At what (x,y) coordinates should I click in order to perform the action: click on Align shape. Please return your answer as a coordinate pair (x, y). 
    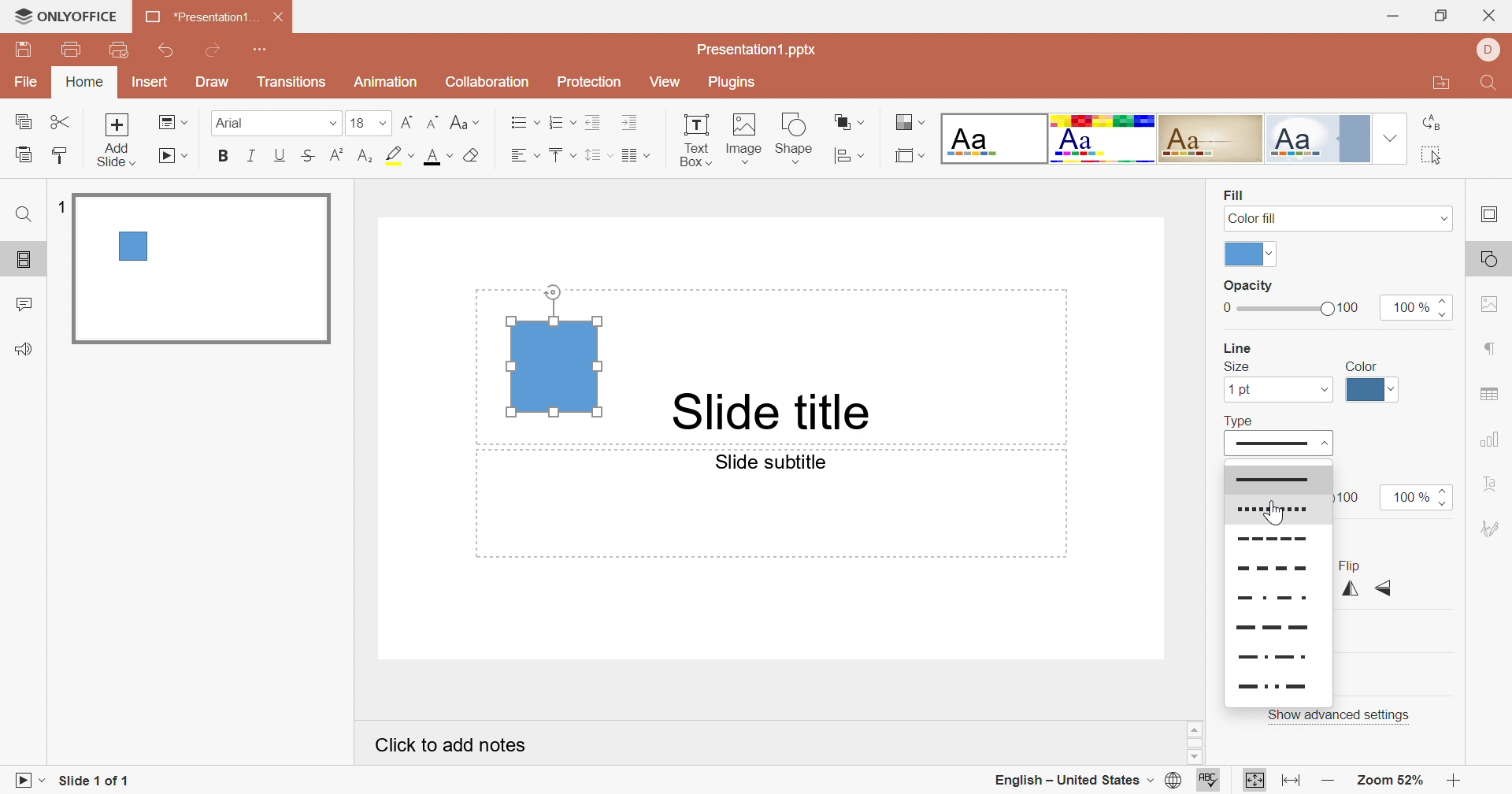
    Looking at the image, I should click on (850, 157).